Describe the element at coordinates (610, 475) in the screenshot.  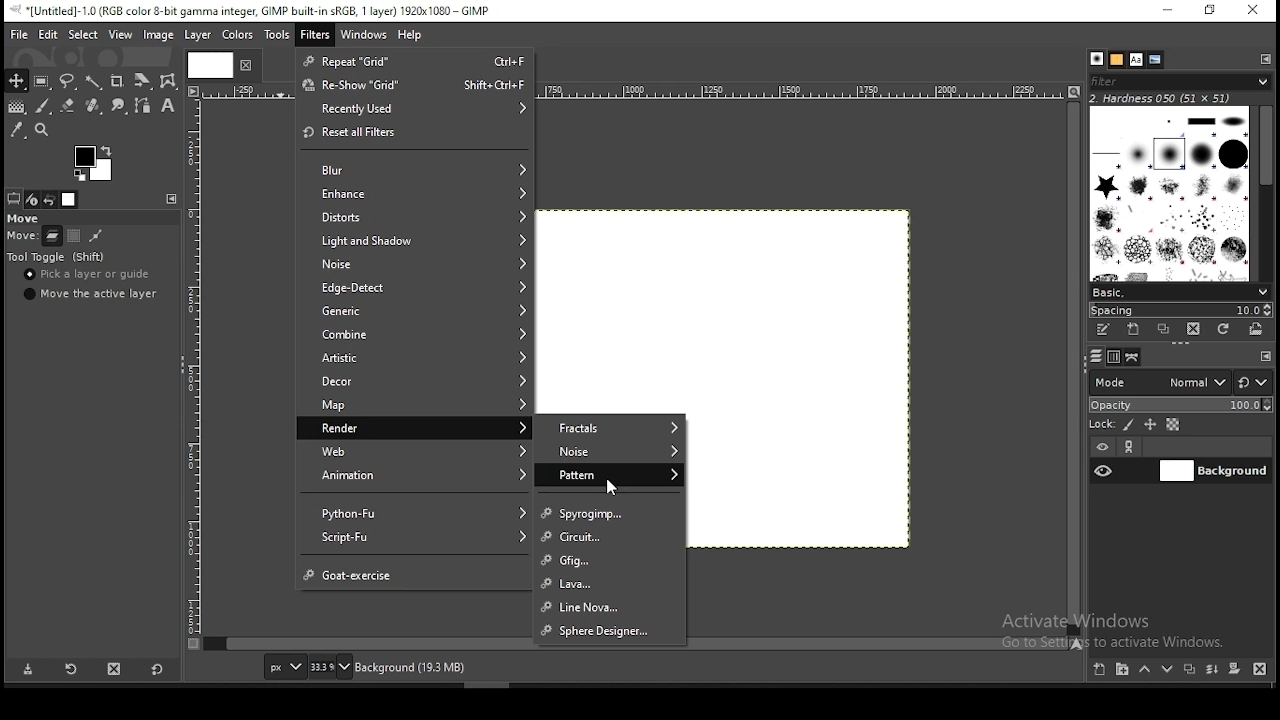
I see `pattern` at that location.